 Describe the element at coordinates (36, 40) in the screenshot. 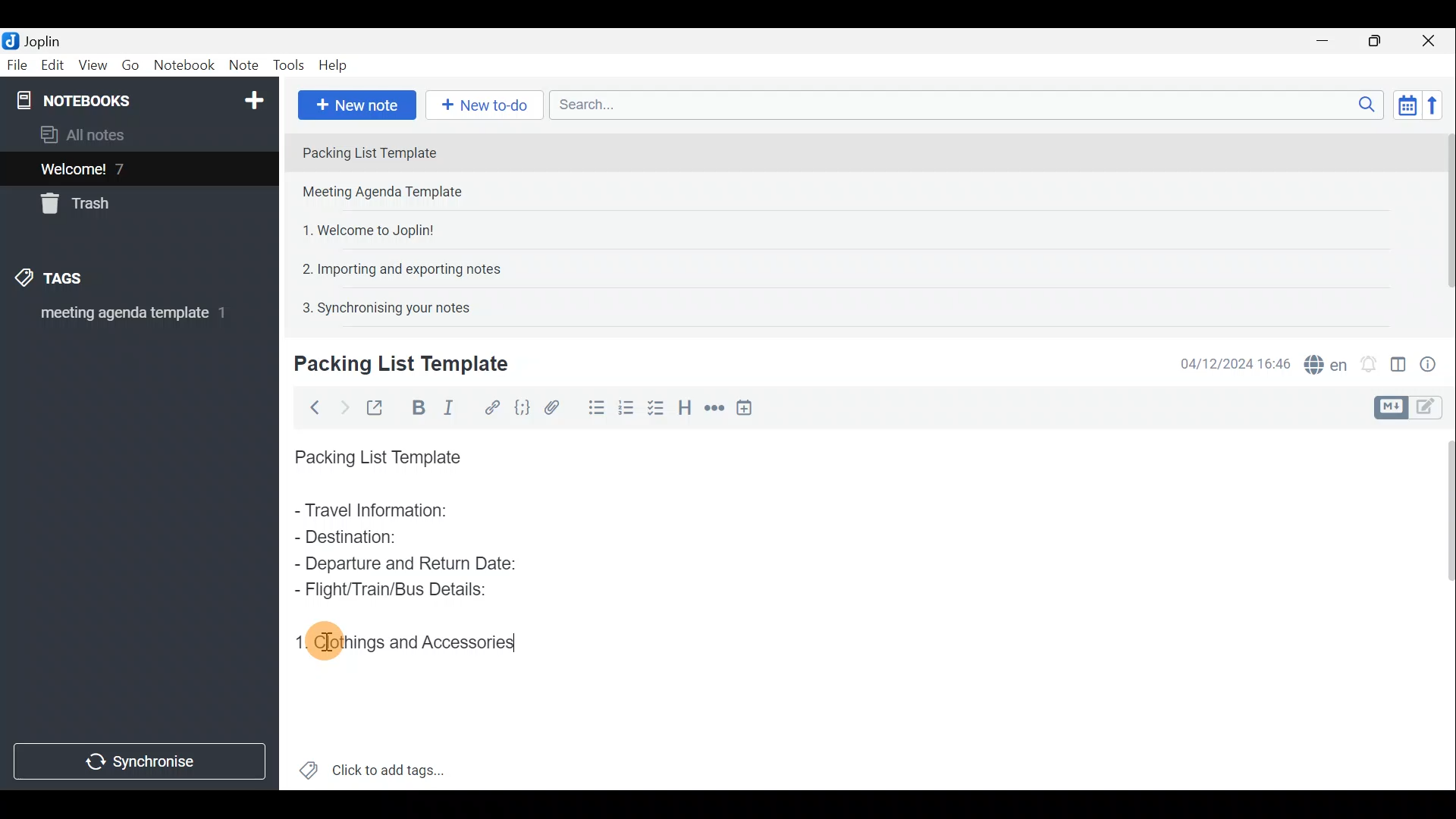

I see `Joplin` at that location.